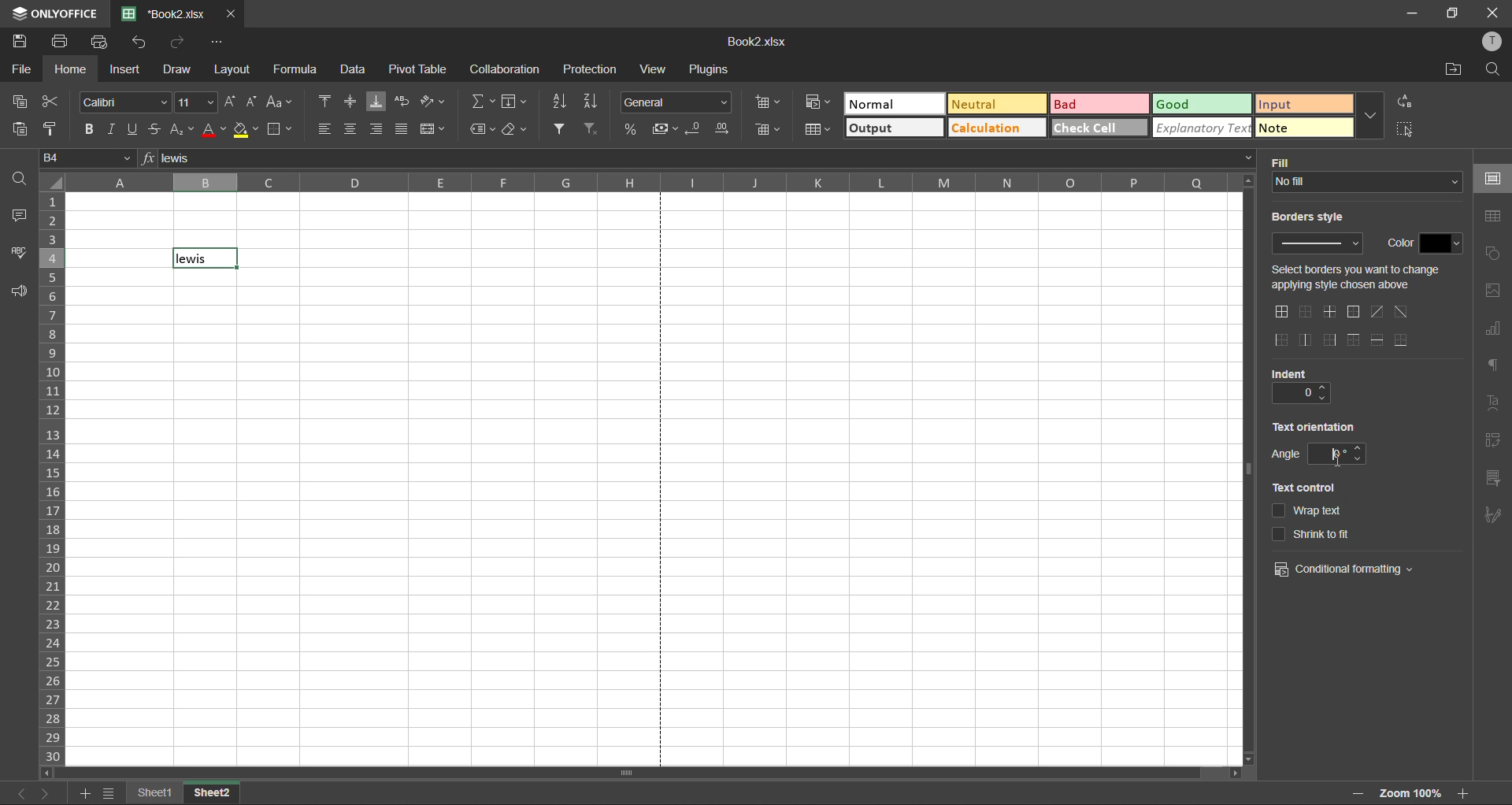 The image size is (1512, 805). I want to click on wrap text, so click(1310, 510).